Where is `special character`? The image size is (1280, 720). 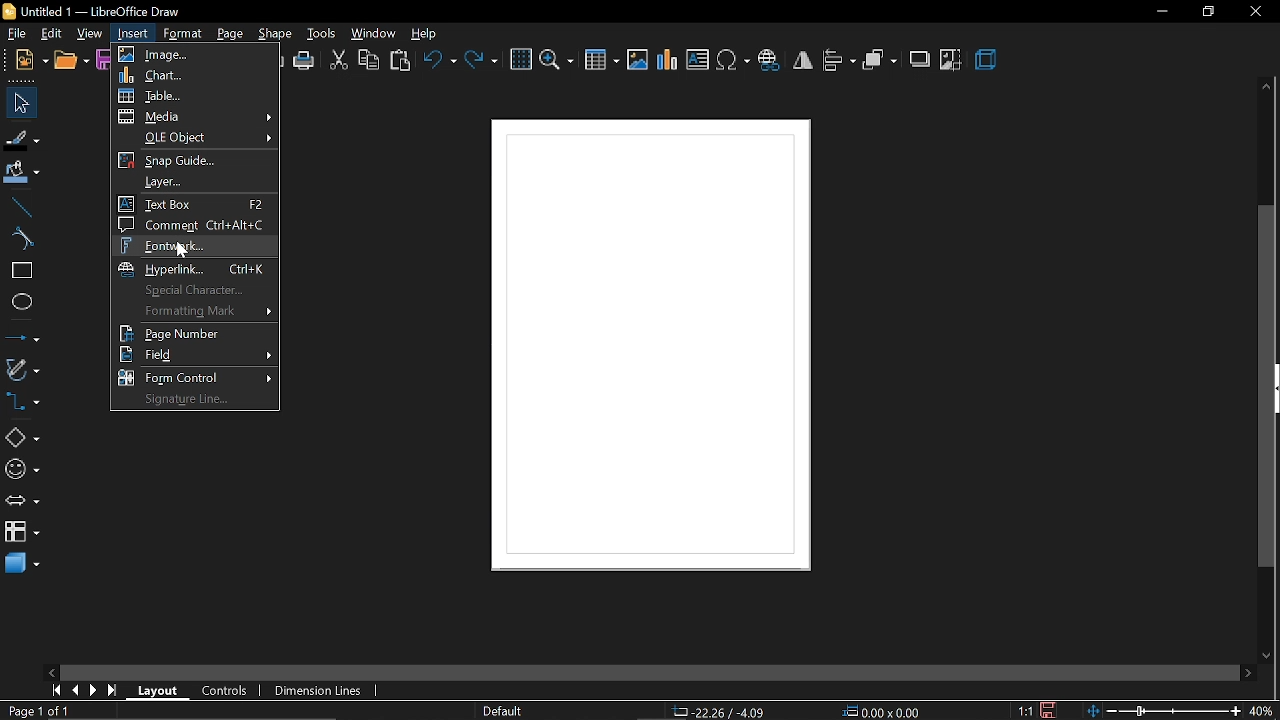 special character is located at coordinates (195, 291).